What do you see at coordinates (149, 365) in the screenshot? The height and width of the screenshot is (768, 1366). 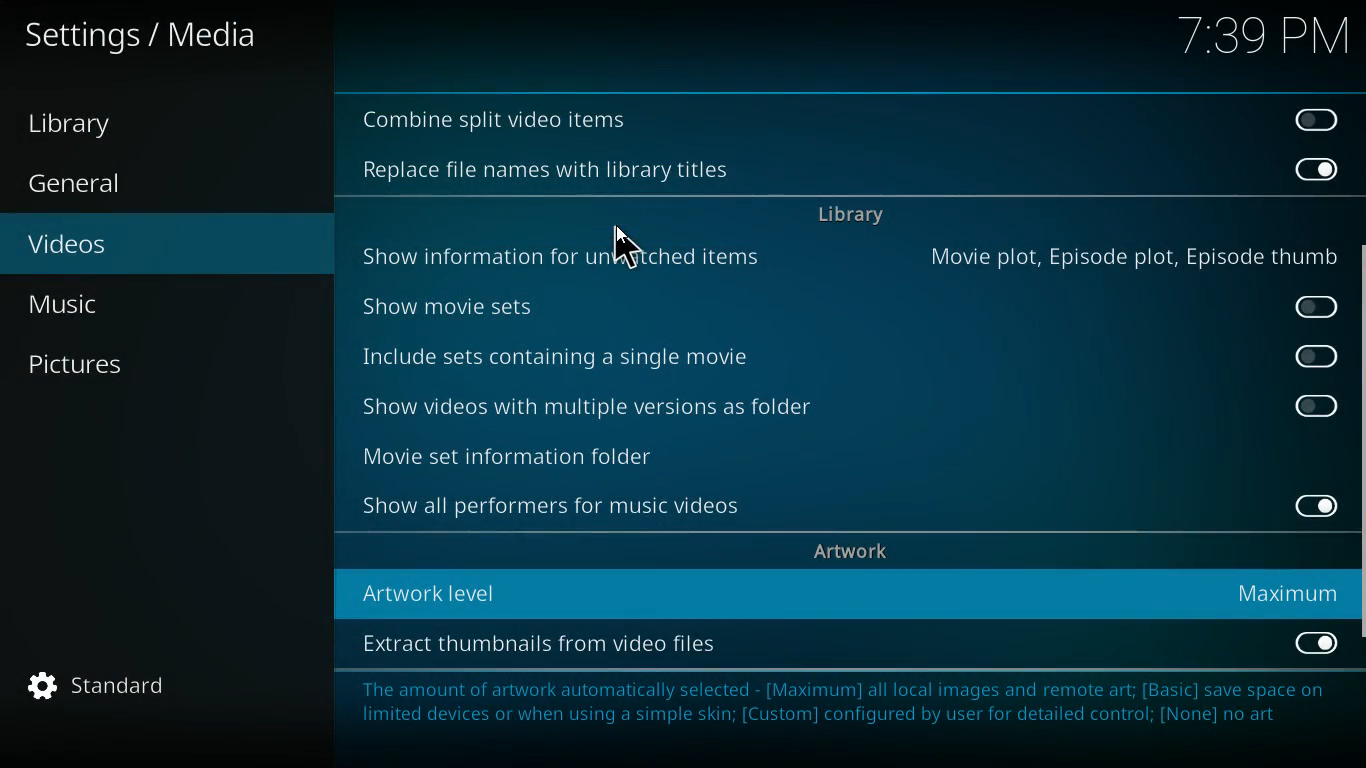 I see `pictures` at bounding box center [149, 365].